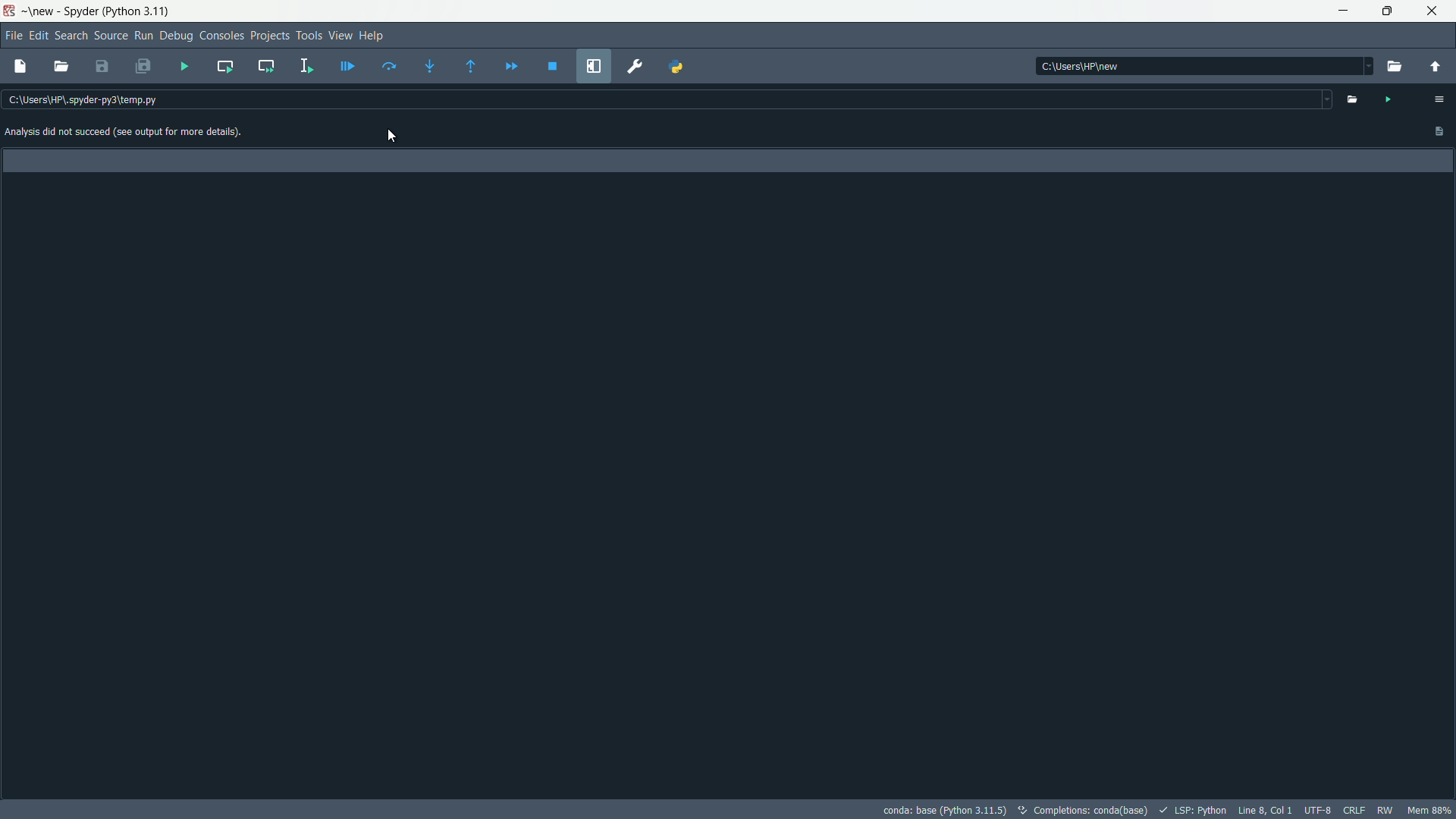  I want to click on run current cell and go to the next one, so click(266, 65).